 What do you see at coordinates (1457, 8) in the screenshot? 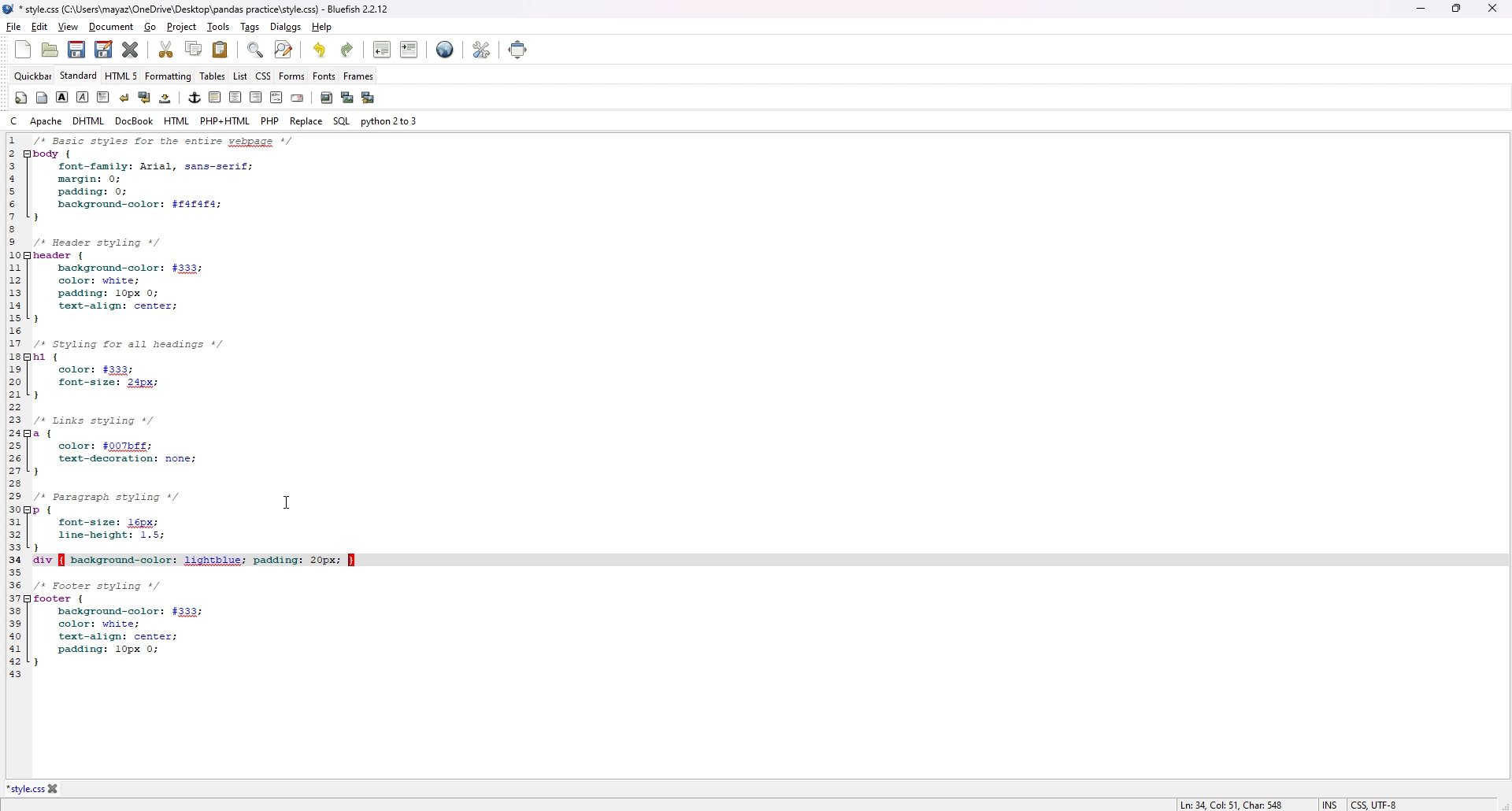
I see `Maximize` at bounding box center [1457, 8].